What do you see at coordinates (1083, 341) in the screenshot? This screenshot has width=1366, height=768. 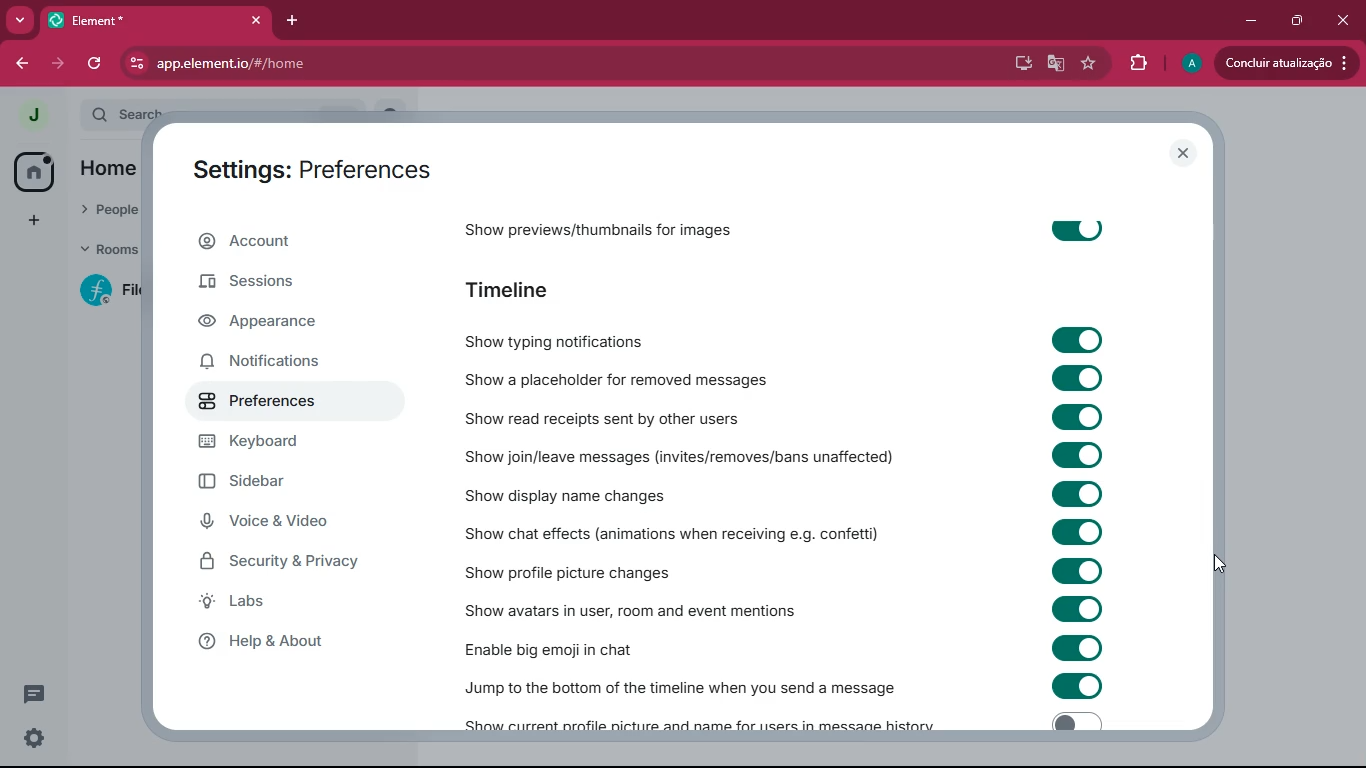 I see `toggle on ` at bounding box center [1083, 341].